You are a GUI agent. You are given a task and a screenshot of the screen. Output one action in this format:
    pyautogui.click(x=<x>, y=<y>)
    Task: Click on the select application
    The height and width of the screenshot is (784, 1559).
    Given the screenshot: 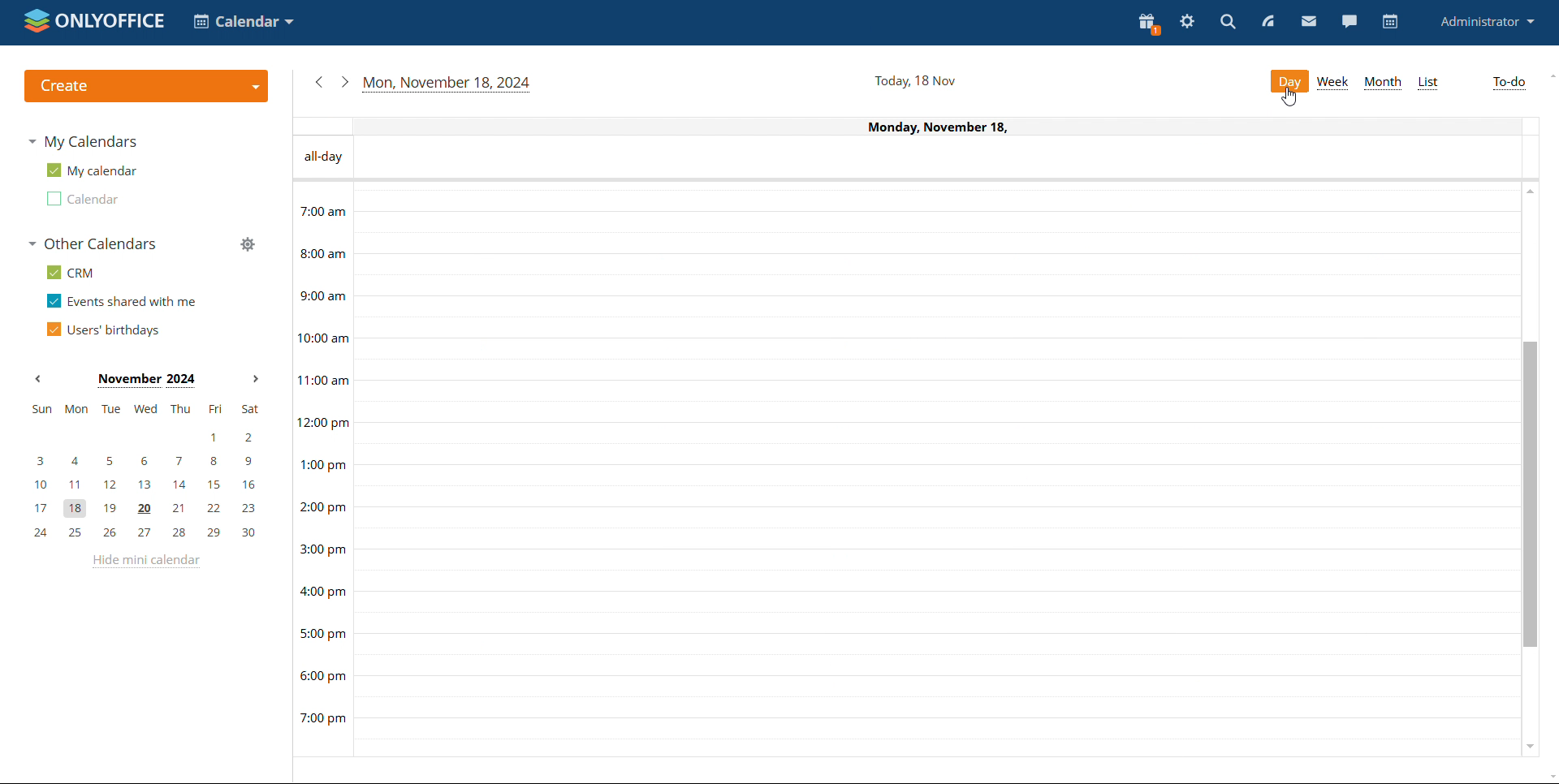 What is the action you would take?
    pyautogui.click(x=245, y=21)
    